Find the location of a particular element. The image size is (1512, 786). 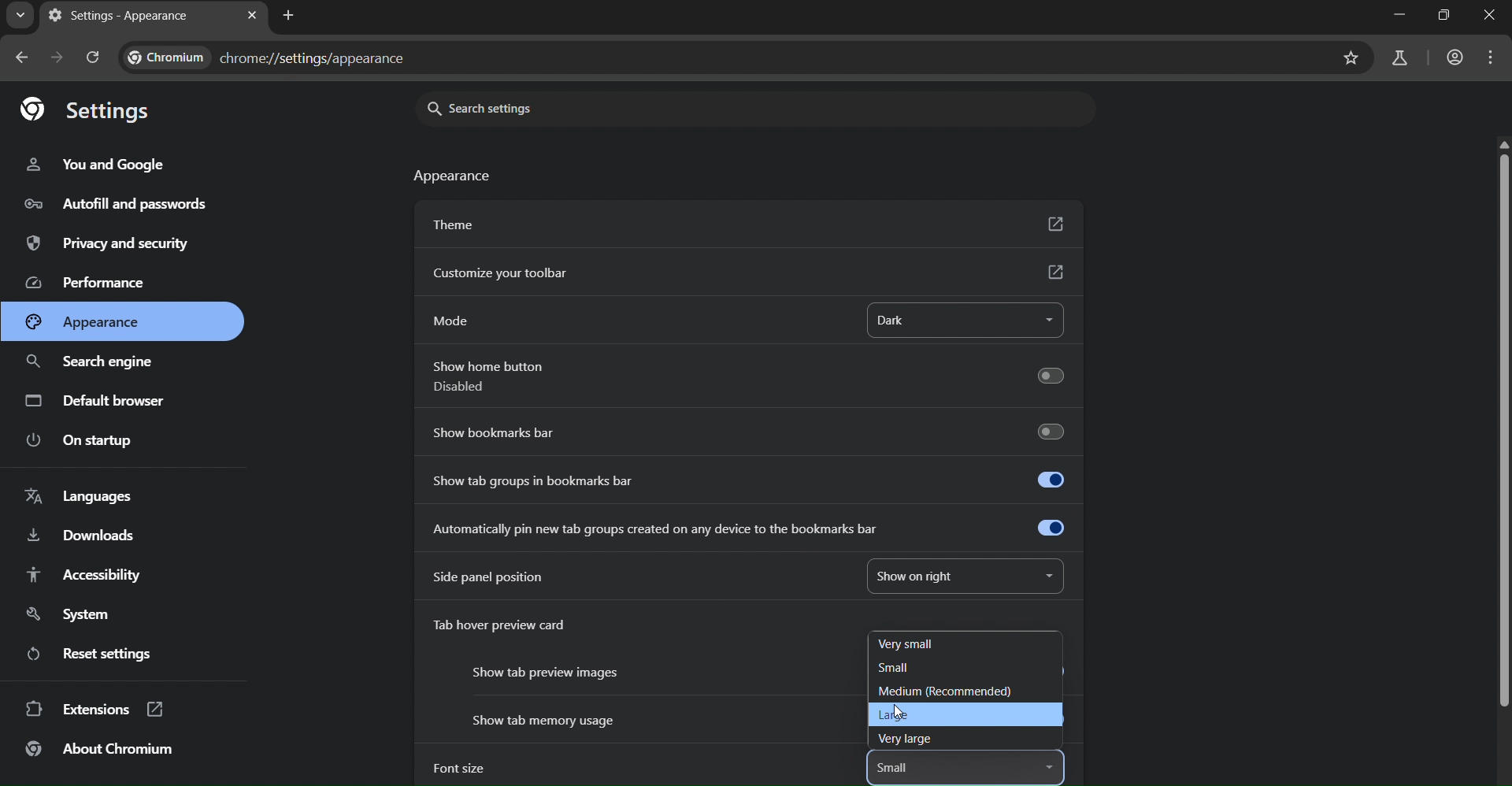

show home button is located at coordinates (745, 378).